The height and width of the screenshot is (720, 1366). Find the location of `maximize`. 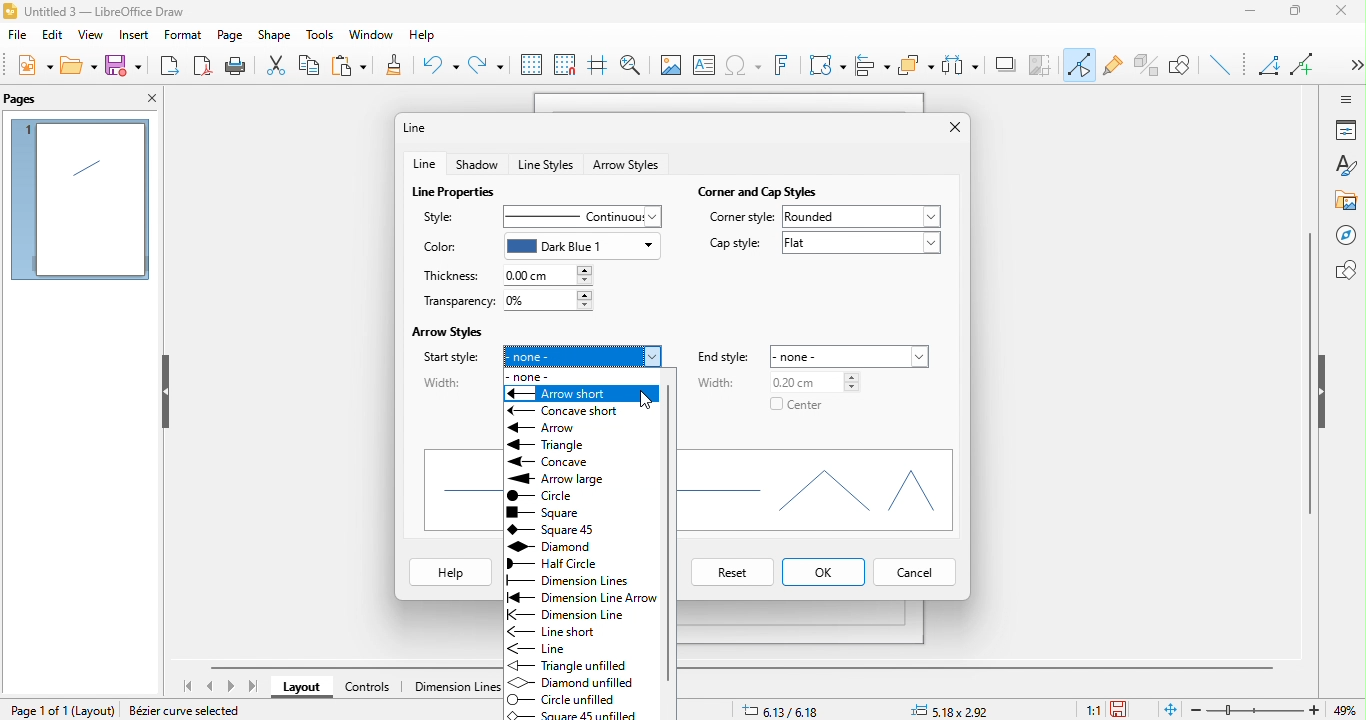

maximize is located at coordinates (1302, 14).